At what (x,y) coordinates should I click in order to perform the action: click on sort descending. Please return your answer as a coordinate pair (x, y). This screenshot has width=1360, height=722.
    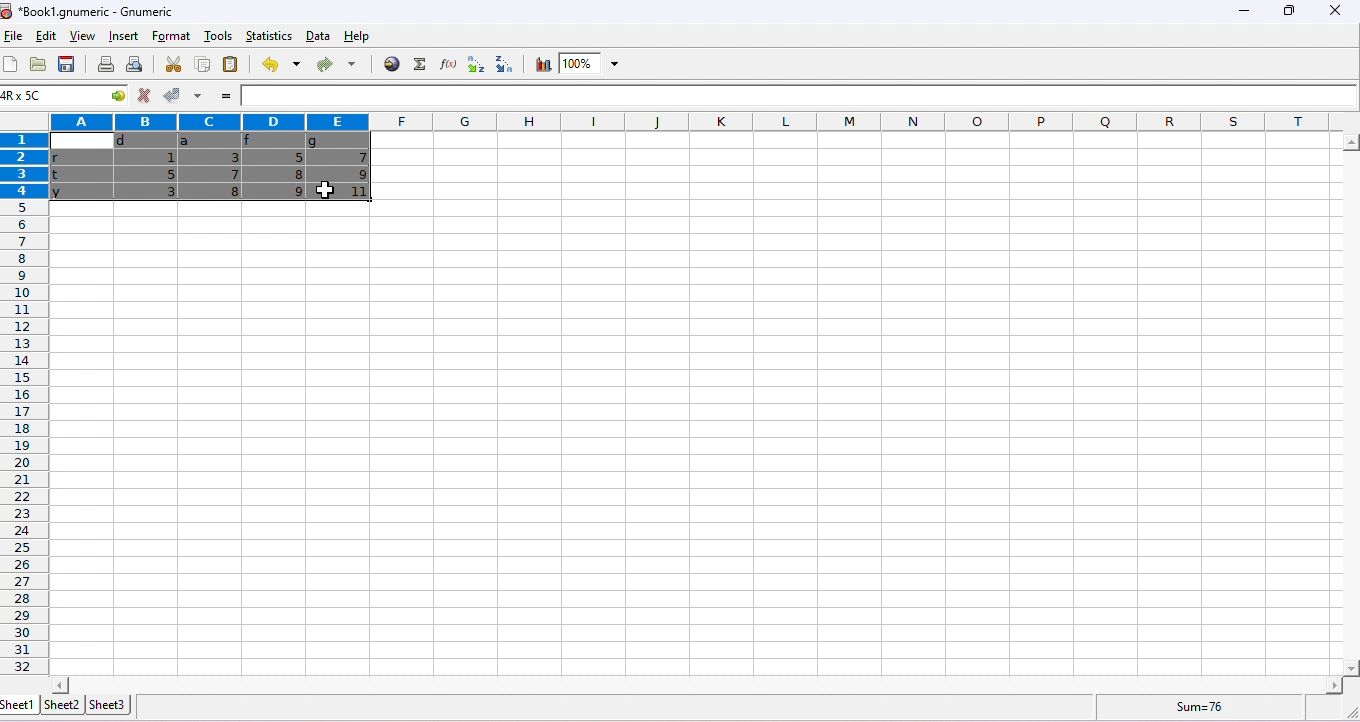
    Looking at the image, I should click on (500, 64).